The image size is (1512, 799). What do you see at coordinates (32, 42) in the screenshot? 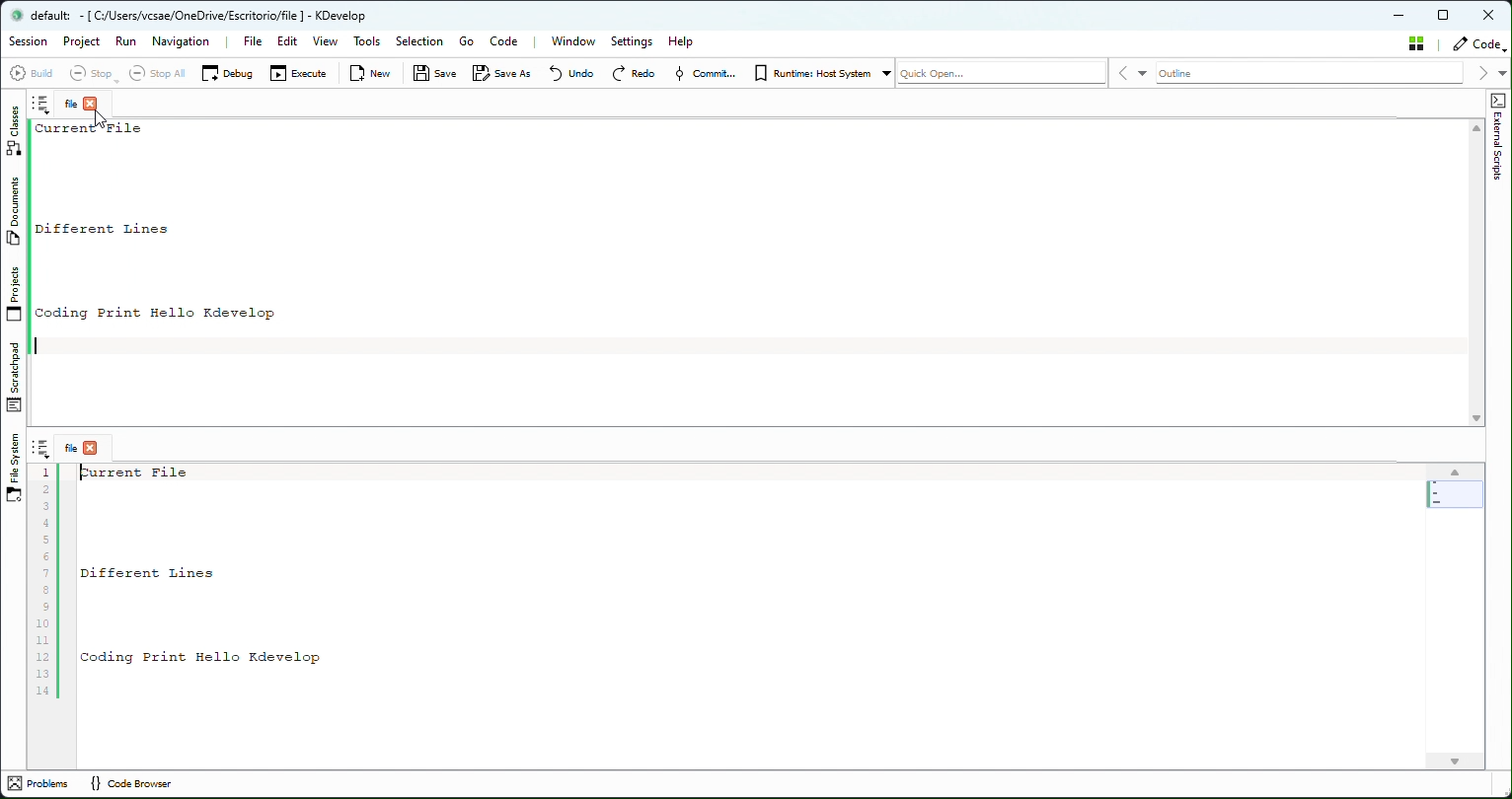
I see `Session` at bounding box center [32, 42].